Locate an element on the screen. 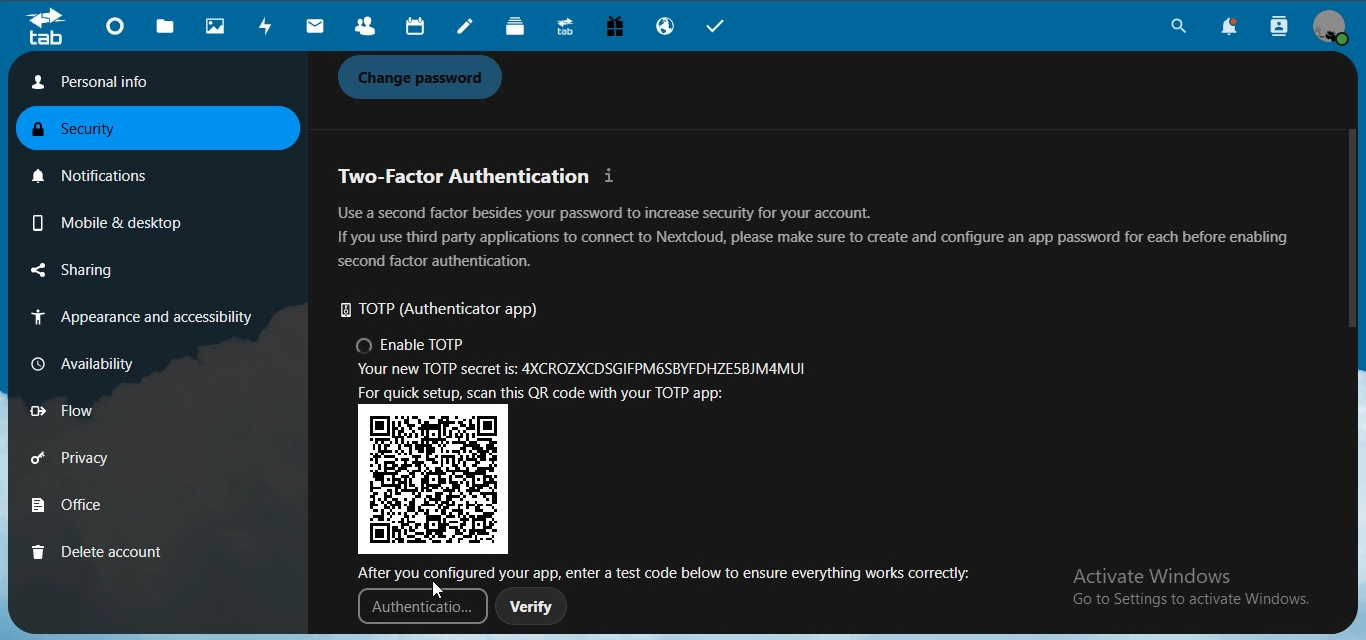 The image size is (1366, 640). notes is located at coordinates (468, 28).